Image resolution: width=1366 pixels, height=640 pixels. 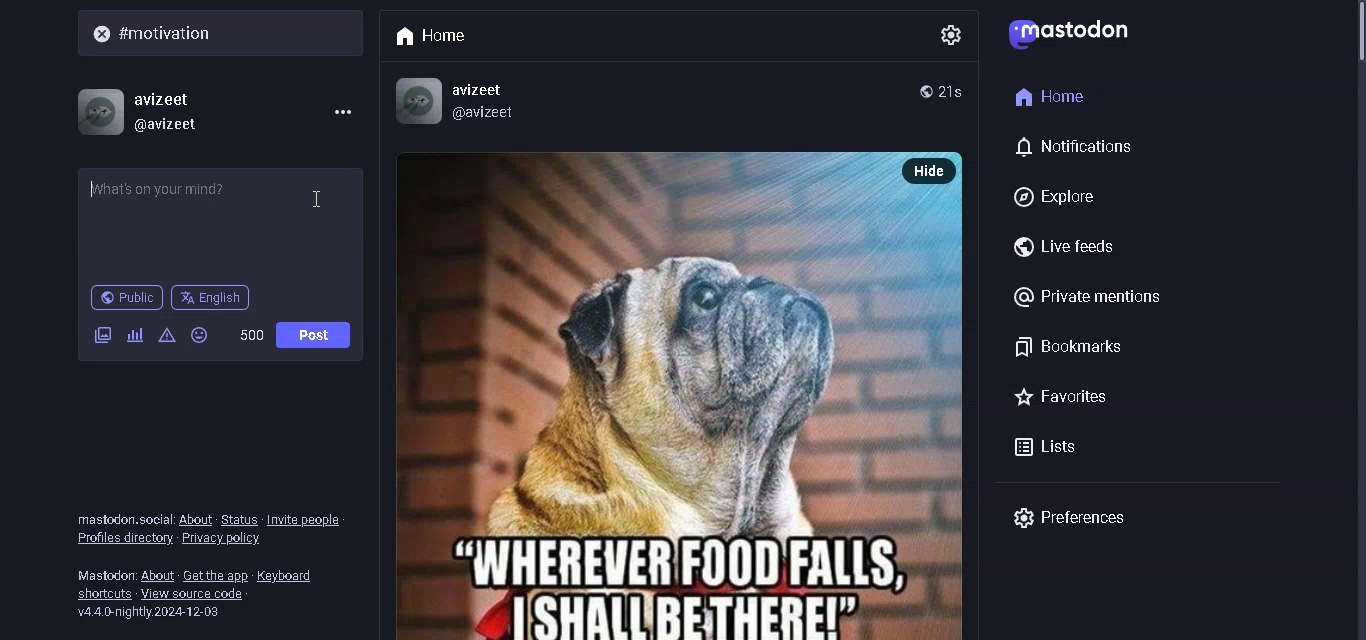 I want to click on @username, so click(x=175, y=126).